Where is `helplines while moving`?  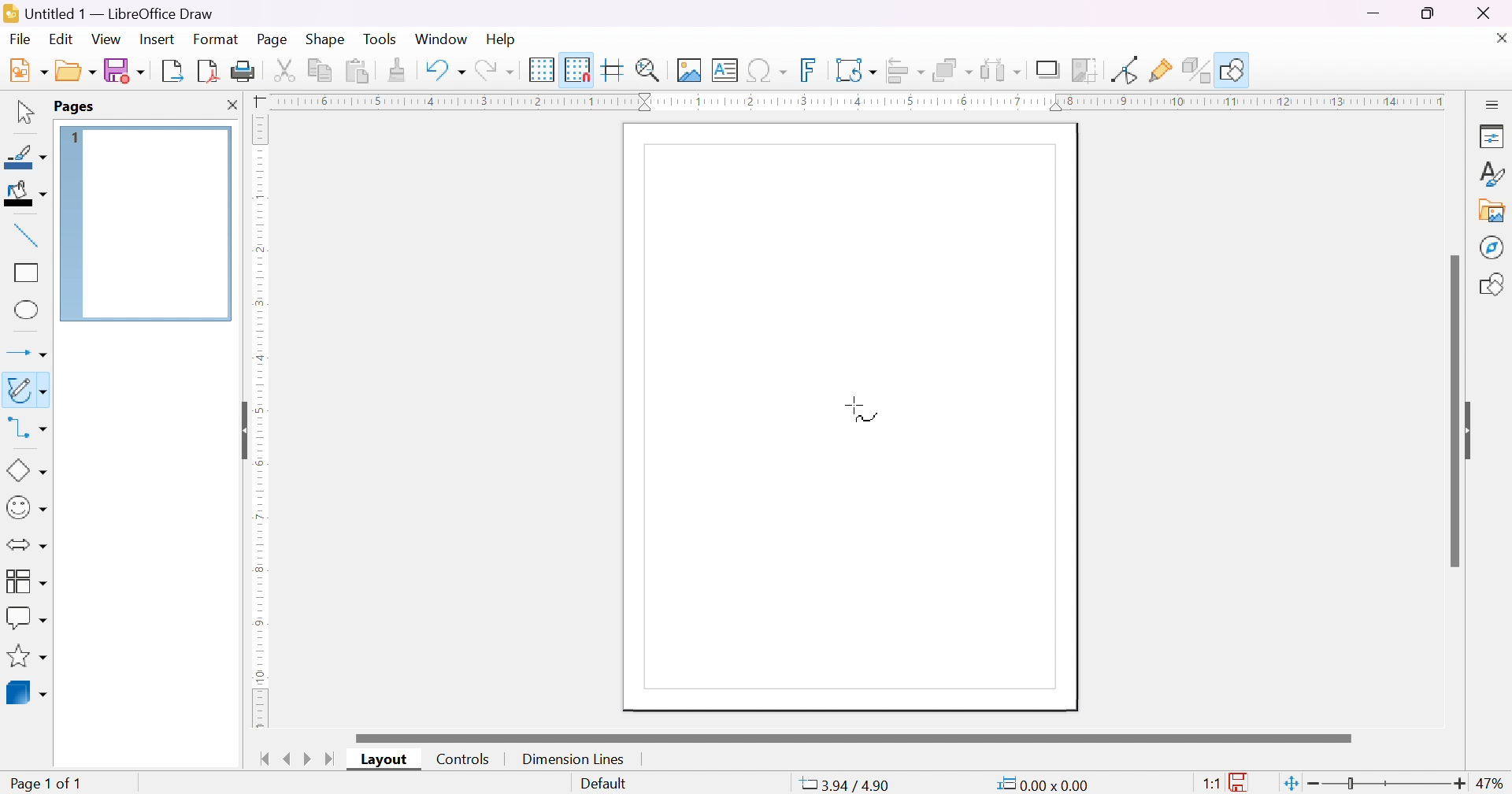 helplines while moving is located at coordinates (610, 69).